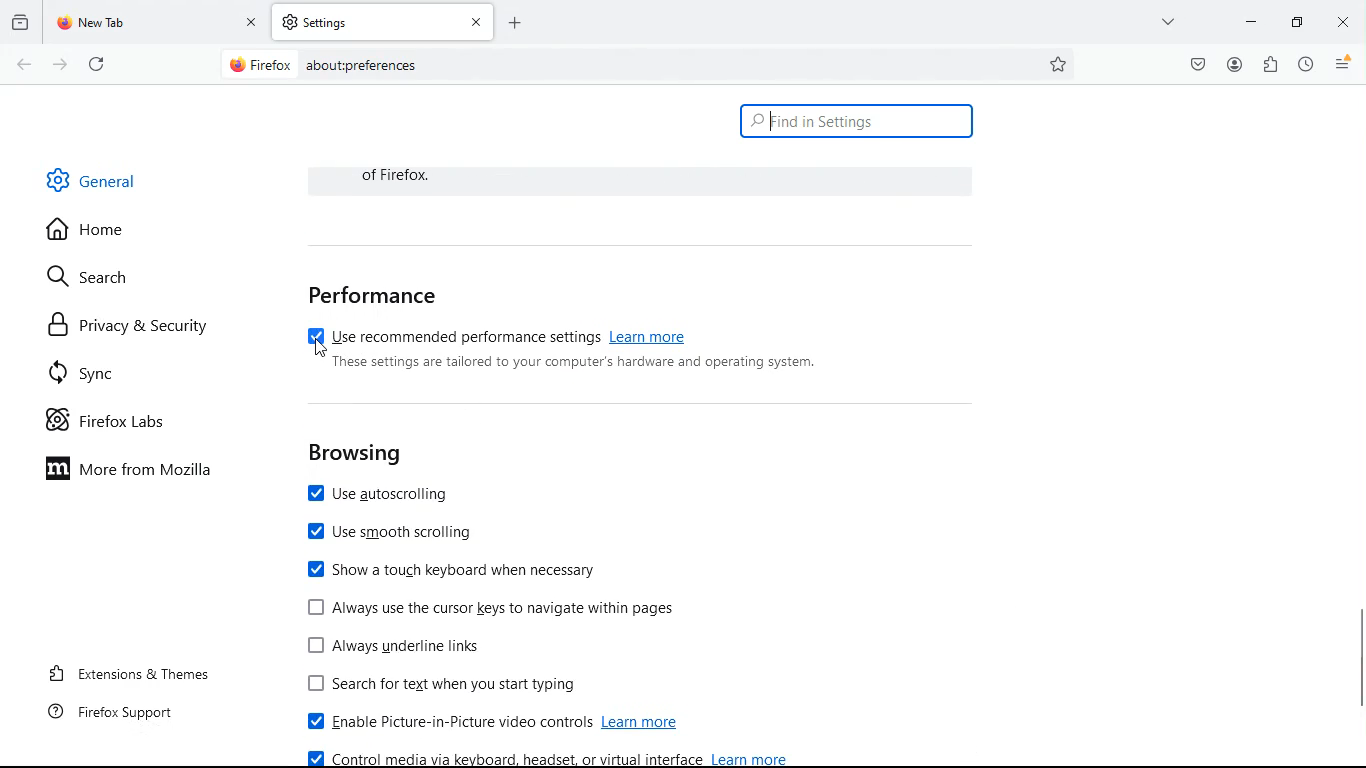 The width and height of the screenshot is (1366, 768). I want to click on browsing, so click(356, 454).